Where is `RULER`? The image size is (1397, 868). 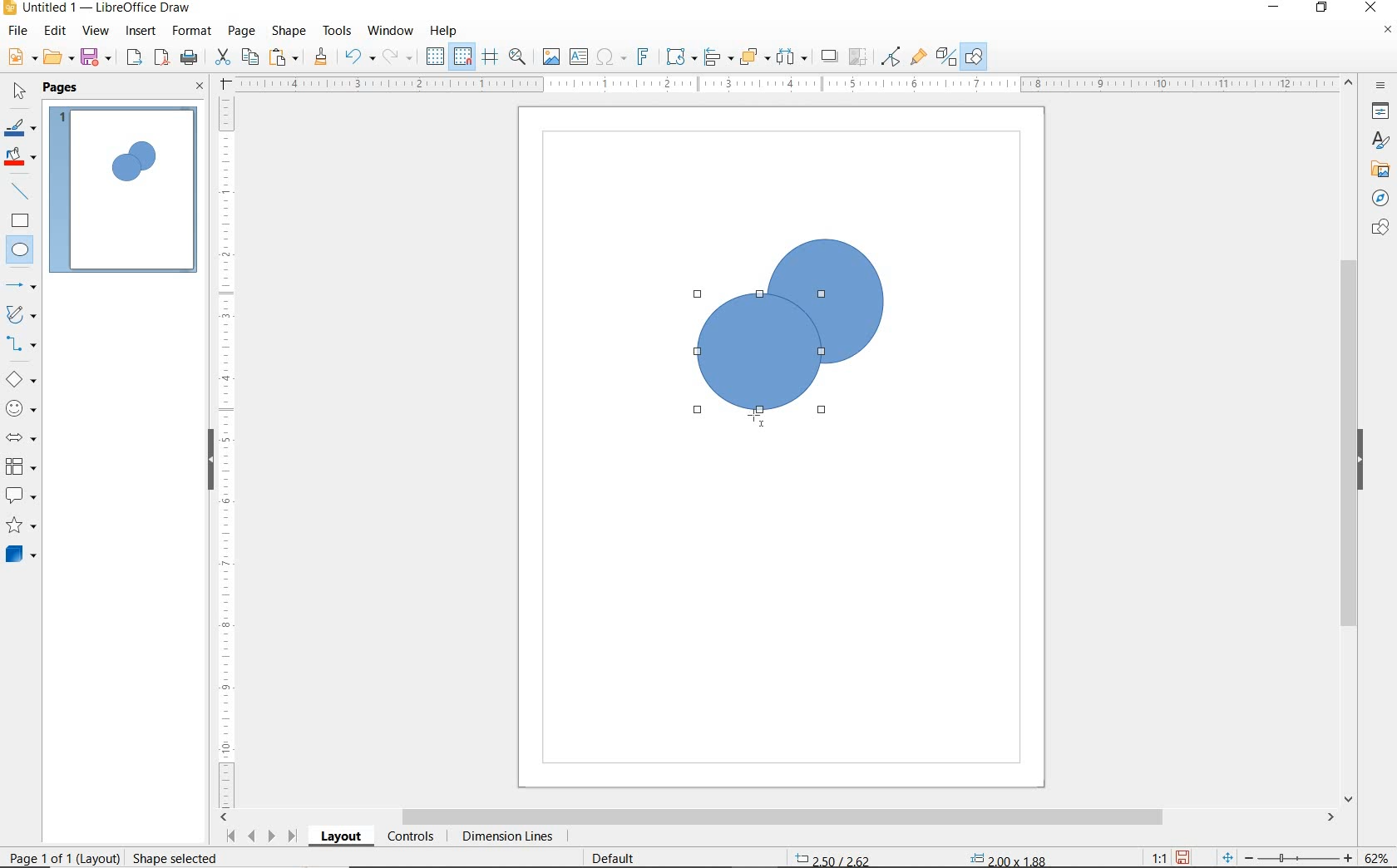 RULER is located at coordinates (788, 85).